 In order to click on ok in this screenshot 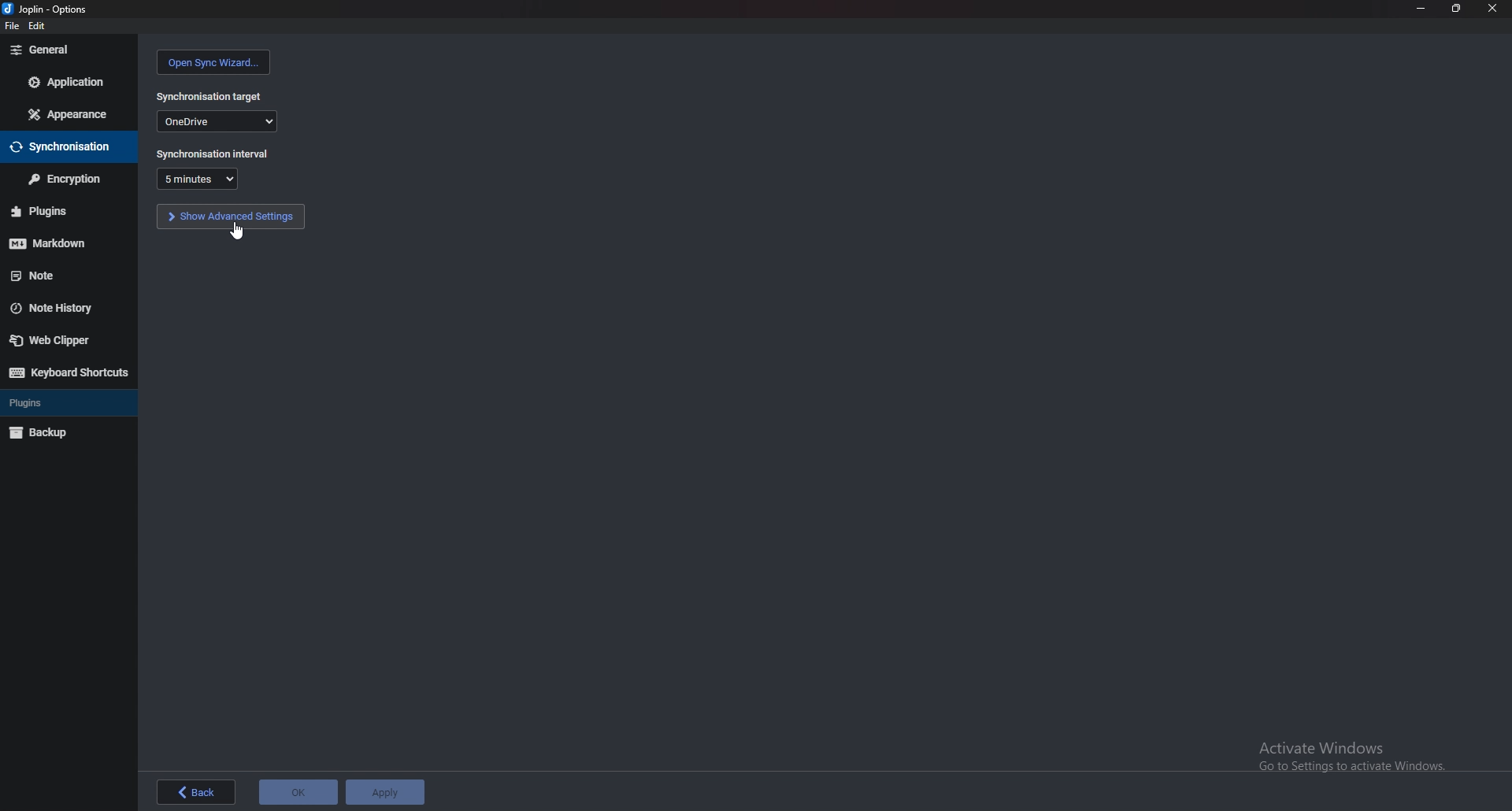, I will do `click(298, 789)`.